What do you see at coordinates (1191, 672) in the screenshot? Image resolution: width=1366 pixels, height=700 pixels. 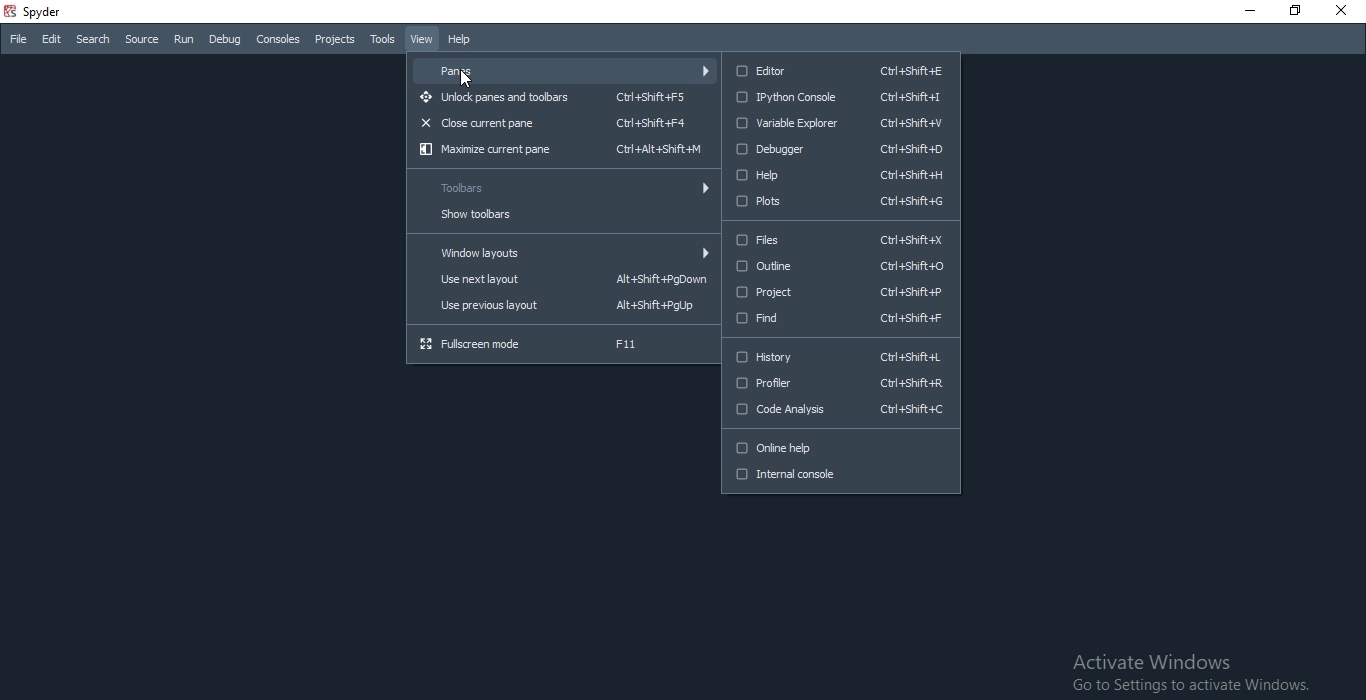 I see `Activate Windows
Go to Settings to activate Windows.` at bounding box center [1191, 672].